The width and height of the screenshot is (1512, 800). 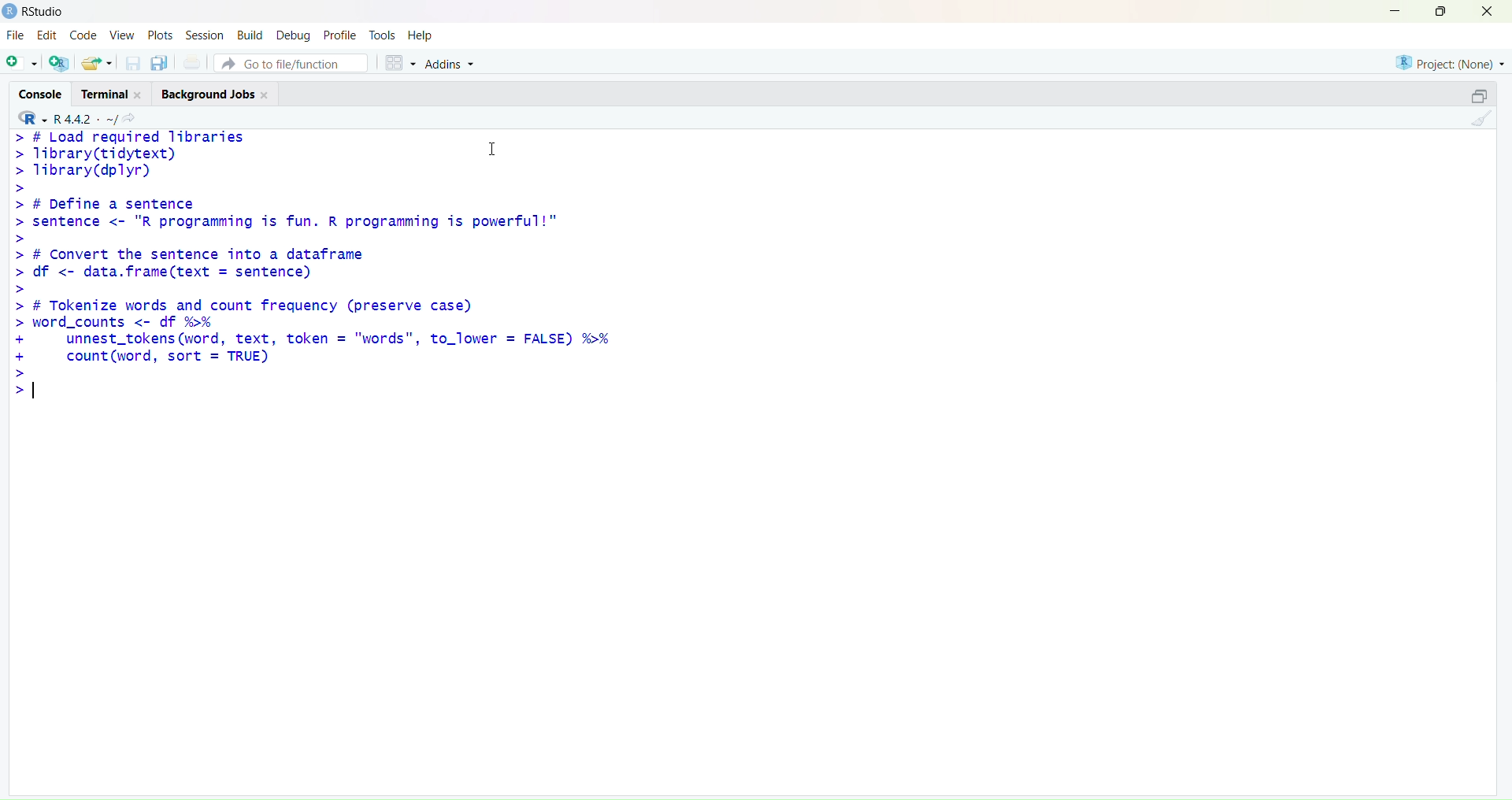 I want to click on background jobs, so click(x=216, y=95).